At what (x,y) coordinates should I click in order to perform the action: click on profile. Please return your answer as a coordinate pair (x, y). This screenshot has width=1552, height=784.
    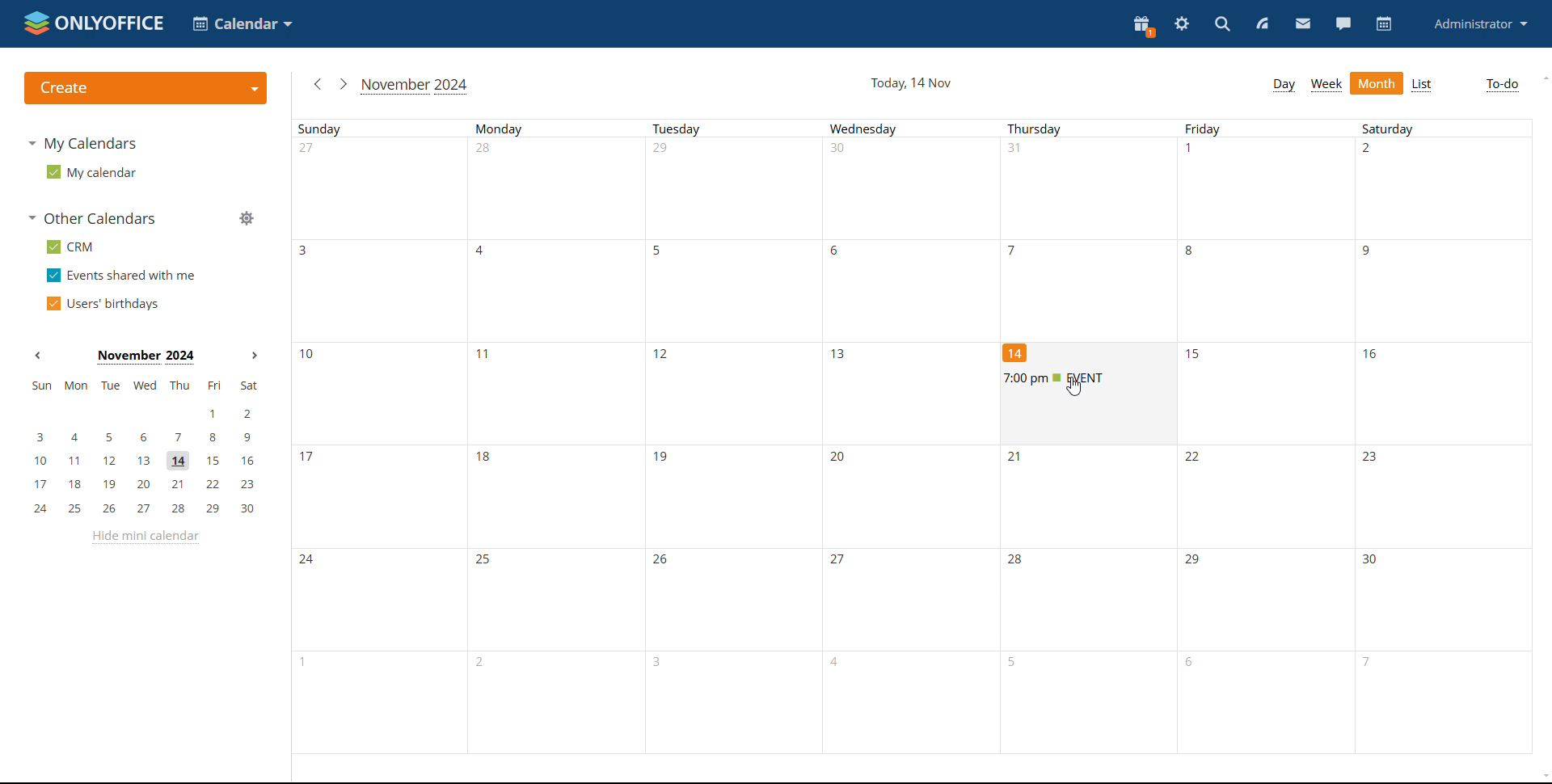
    Looking at the image, I should click on (1481, 23).